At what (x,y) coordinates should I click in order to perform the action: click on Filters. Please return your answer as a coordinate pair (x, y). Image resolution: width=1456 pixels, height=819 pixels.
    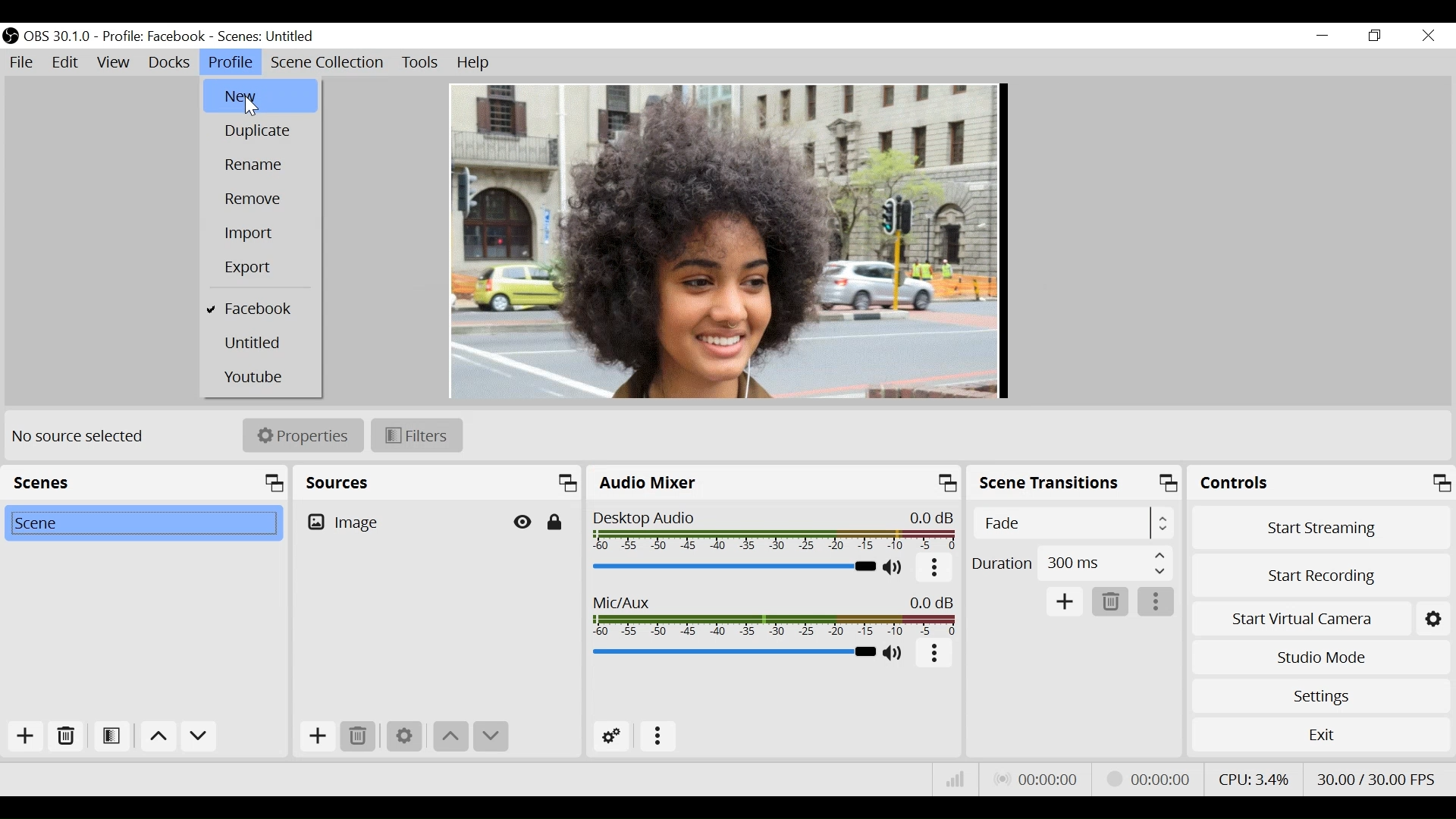
    Looking at the image, I should click on (418, 436).